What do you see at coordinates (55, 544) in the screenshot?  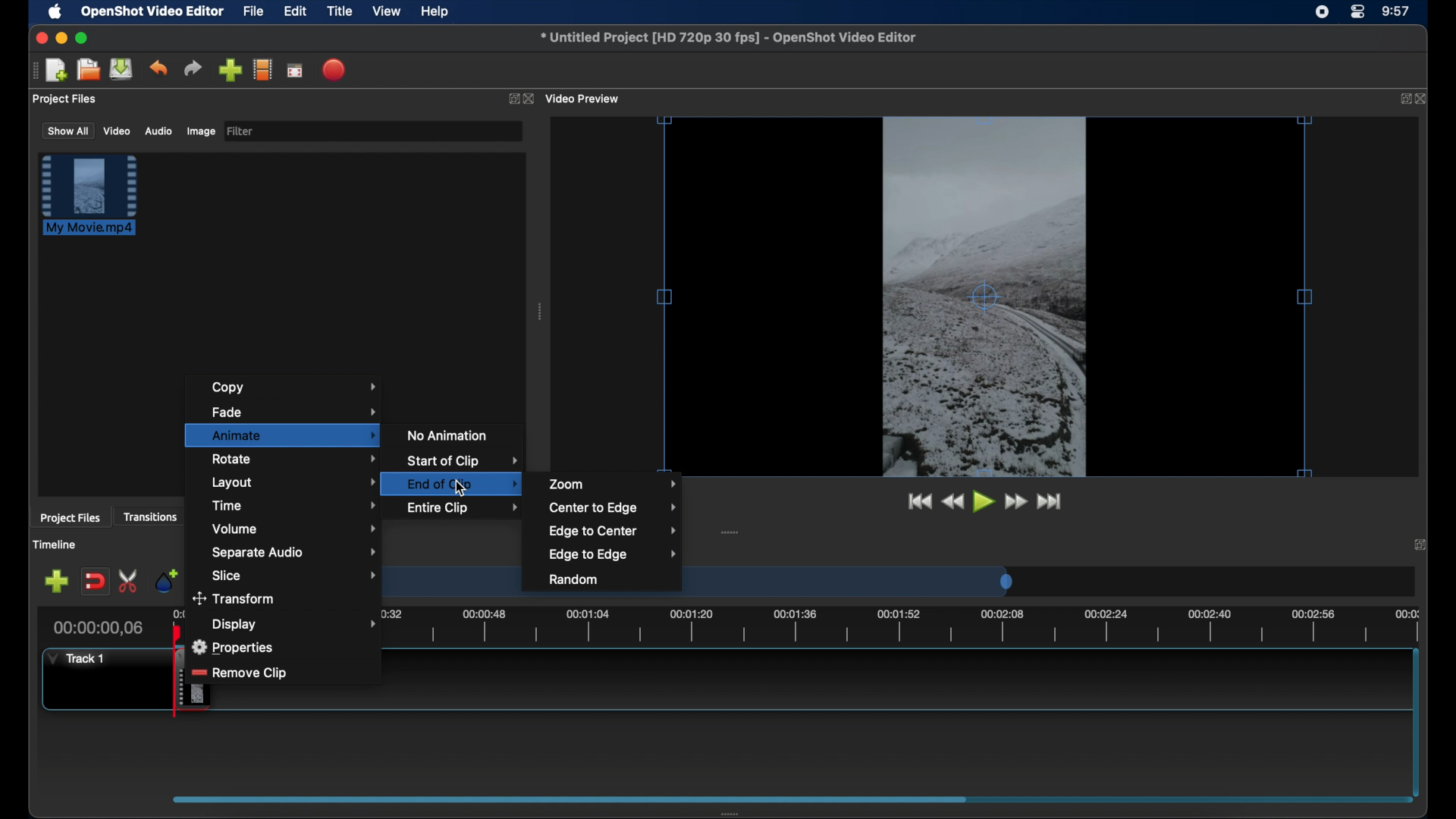 I see `timeline` at bounding box center [55, 544].